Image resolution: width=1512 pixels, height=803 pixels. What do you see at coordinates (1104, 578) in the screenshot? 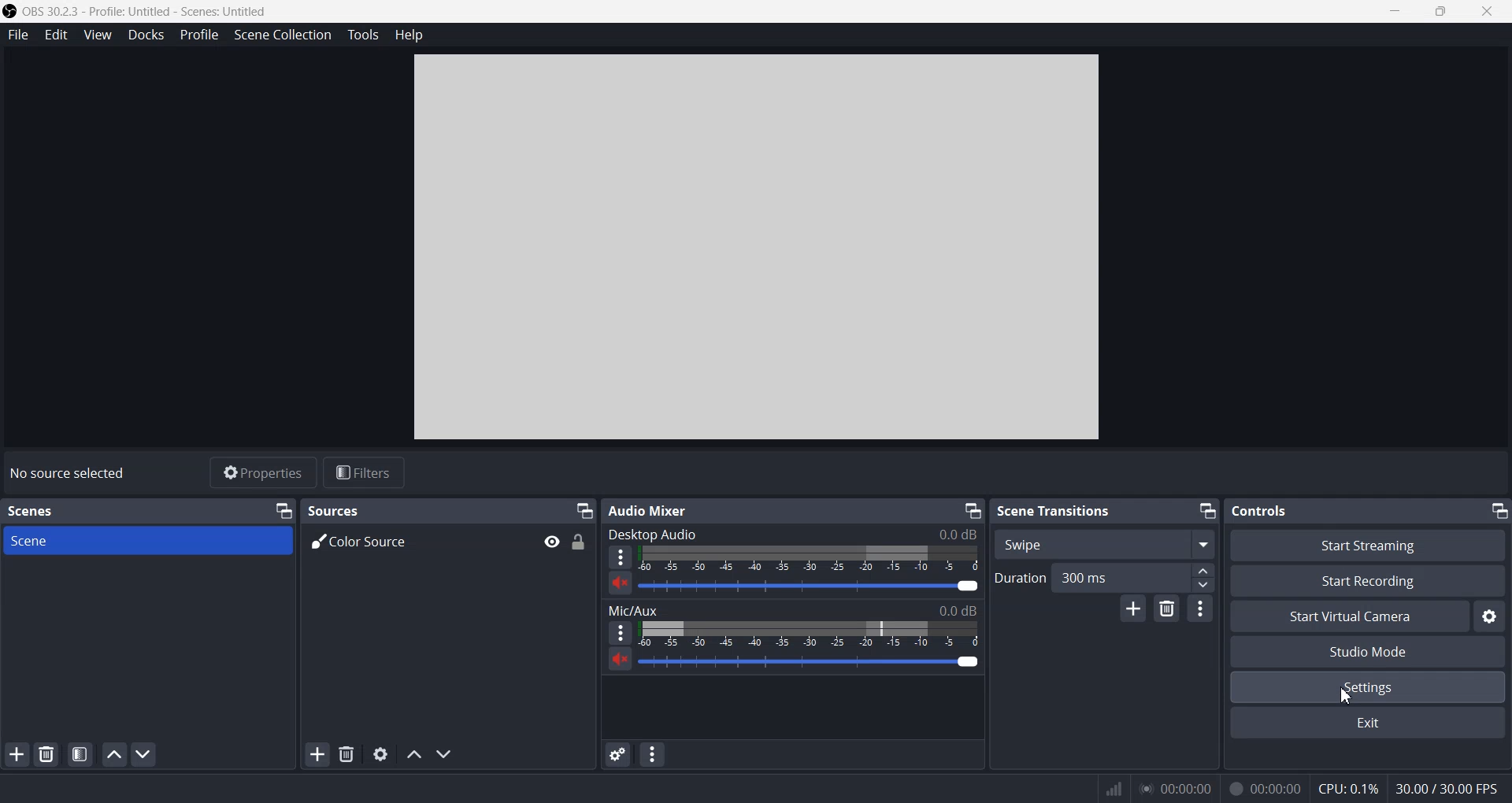
I see `Duration` at bounding box center [1104, 578].